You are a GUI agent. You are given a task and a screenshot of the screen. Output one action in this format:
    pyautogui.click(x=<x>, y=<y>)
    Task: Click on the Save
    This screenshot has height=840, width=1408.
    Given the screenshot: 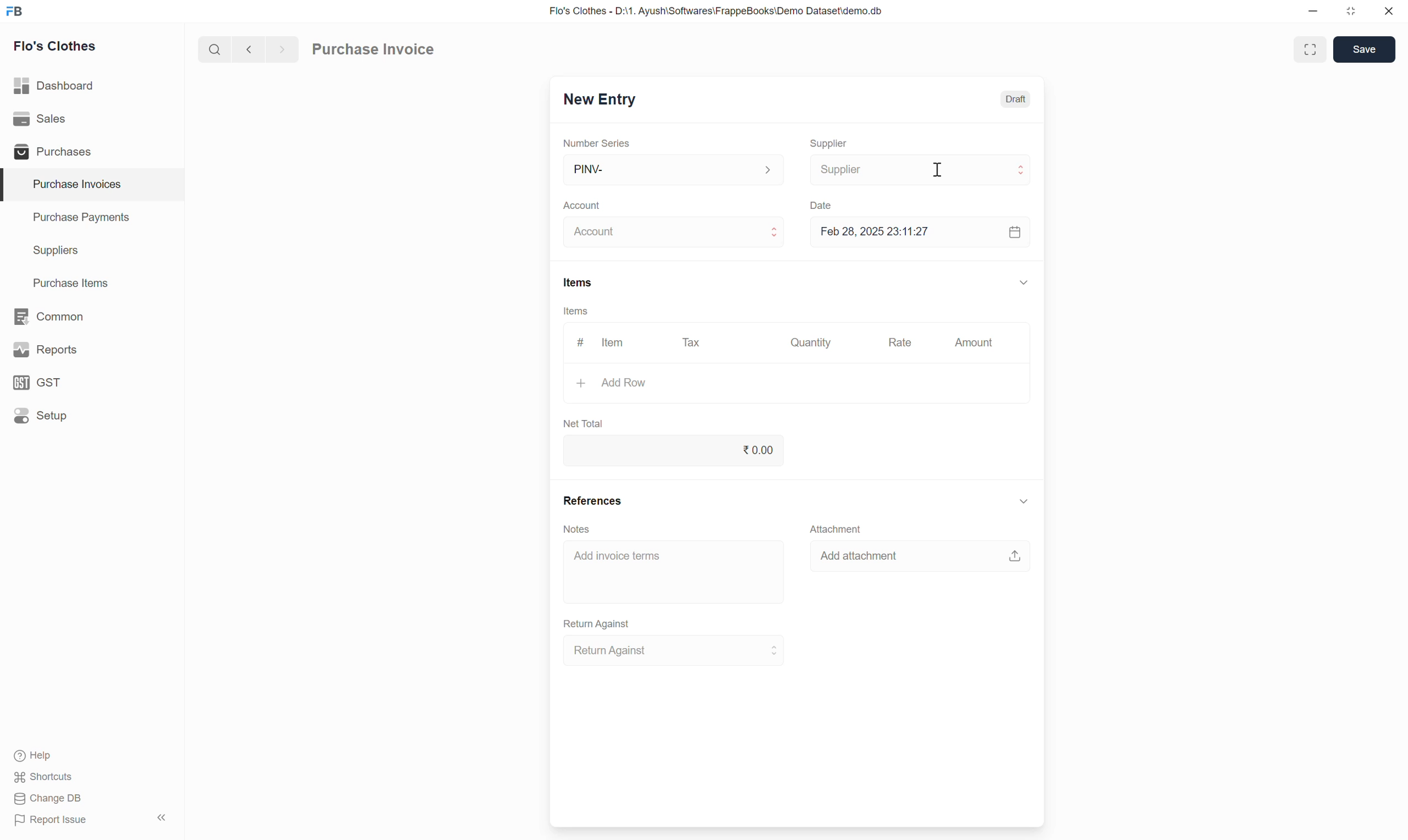 What is the action you would take?
    pyautogui.click(x=1364, y=49)
    